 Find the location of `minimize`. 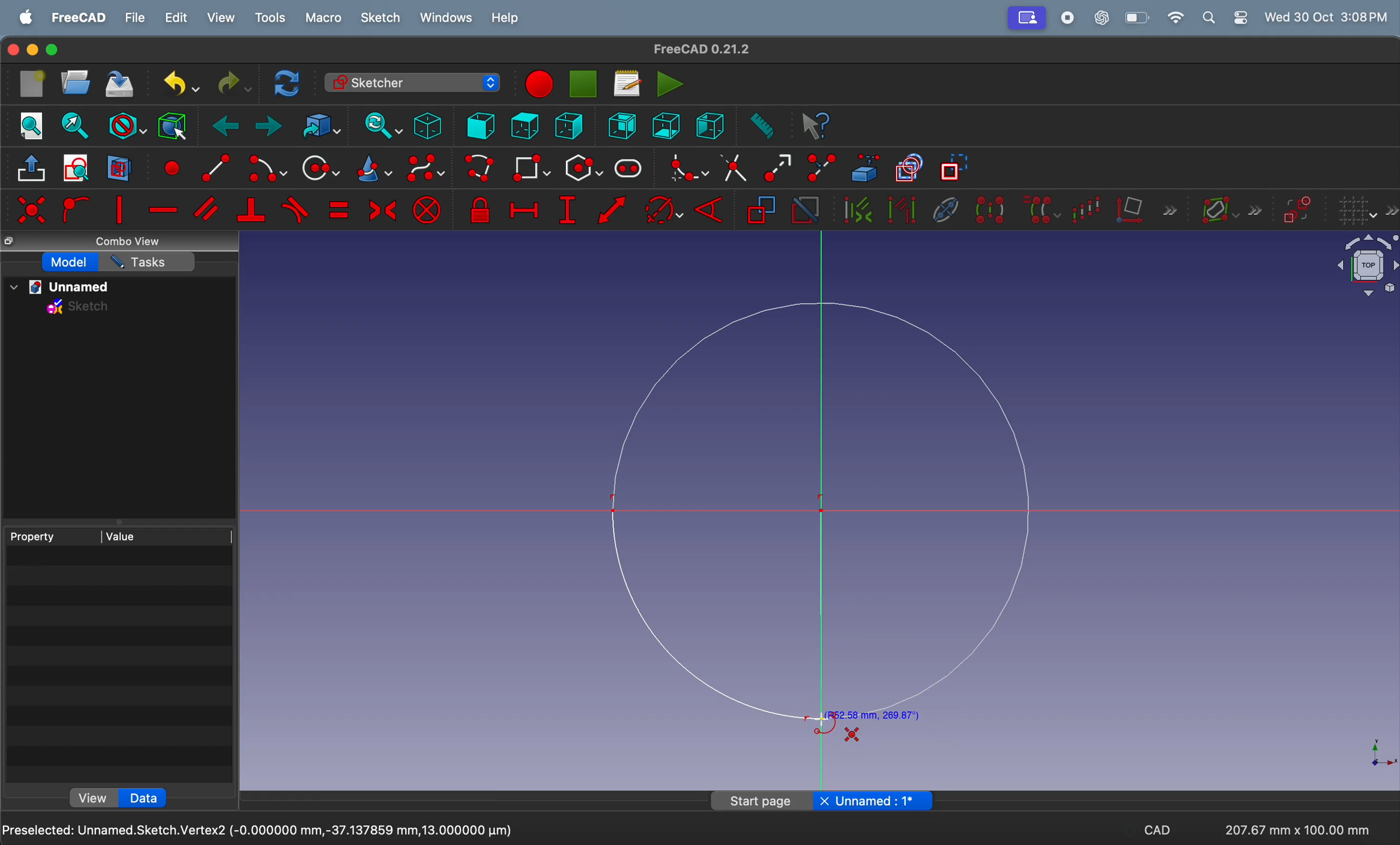

minimize is located at coordinates (34, 50).